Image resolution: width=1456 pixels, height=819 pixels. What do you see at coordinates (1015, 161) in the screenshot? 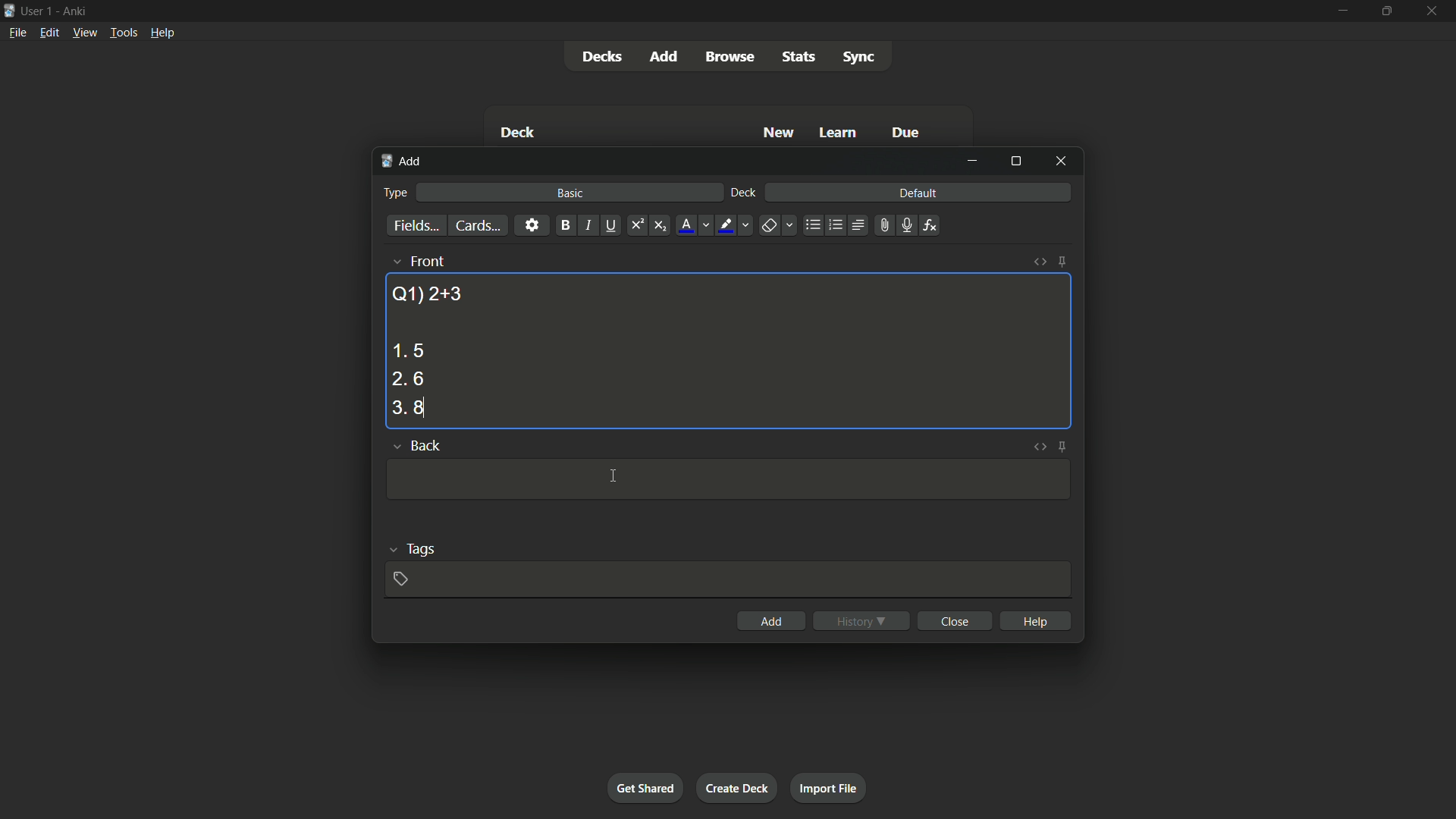
I see `maximize` at bounding box center [1015, 161].